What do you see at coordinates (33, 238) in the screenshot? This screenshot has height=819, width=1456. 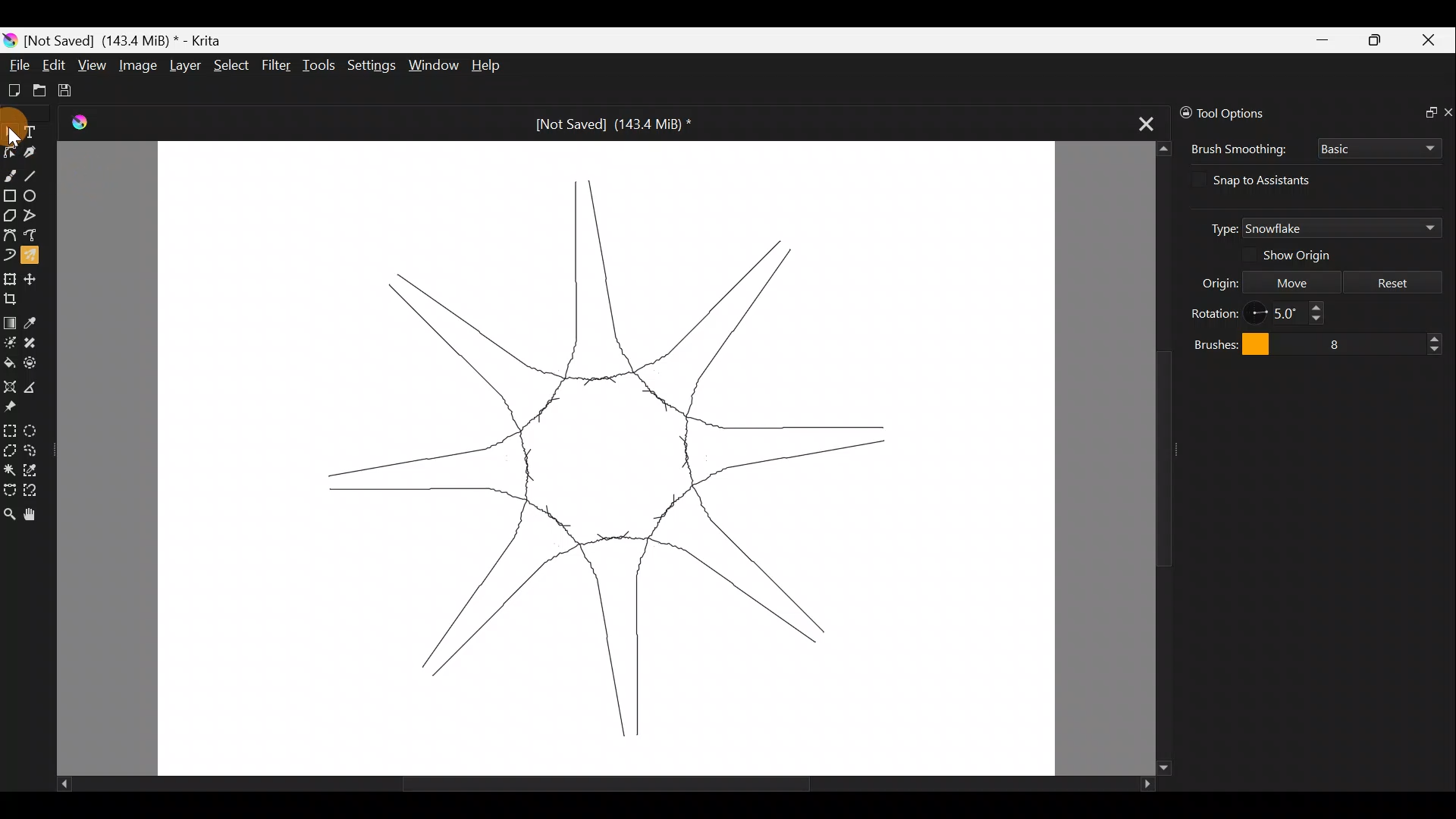 I see `Freehand path tool` at bounding box center [33, 238].